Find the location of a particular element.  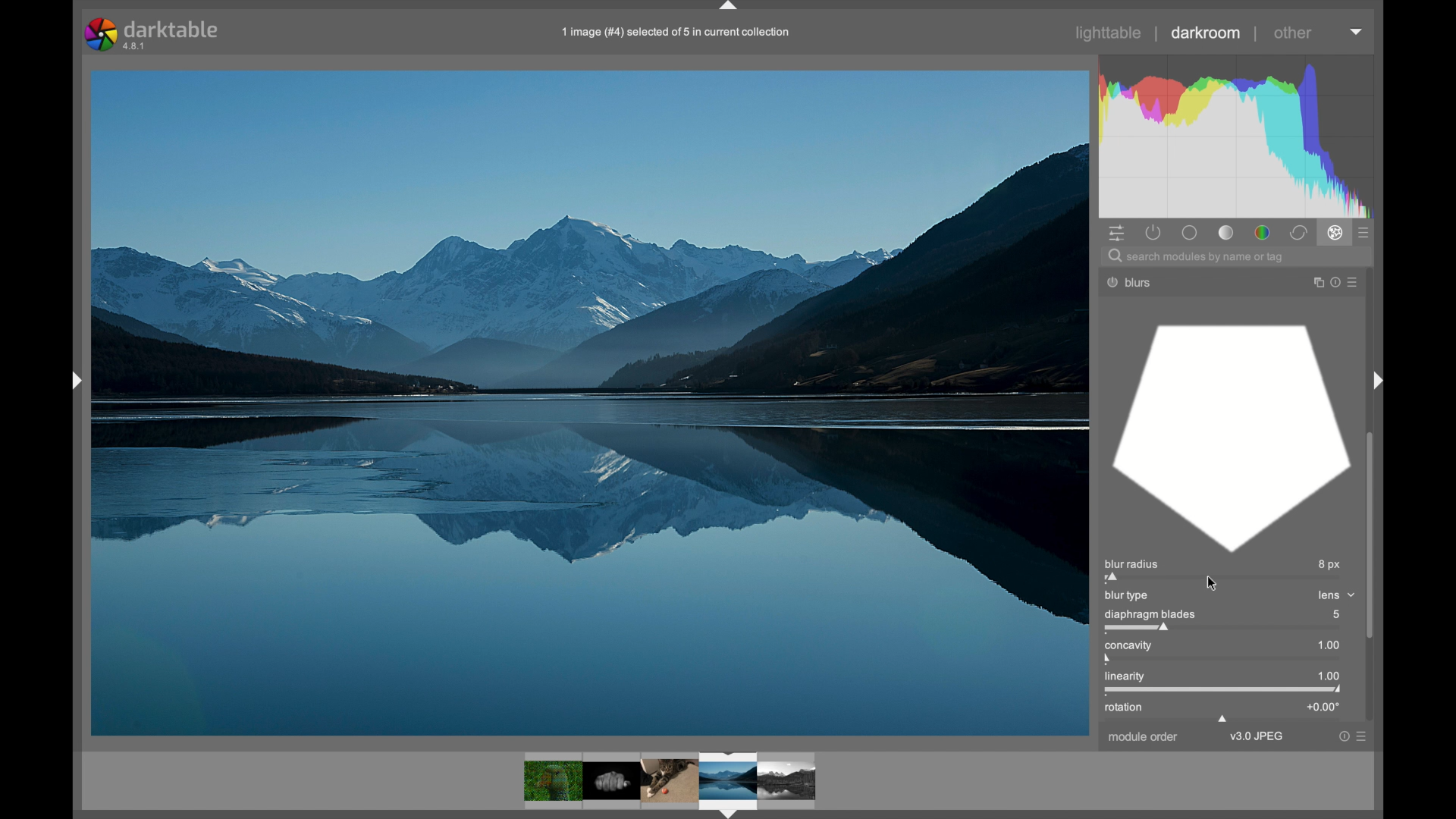

effect is located at coordinates (1335, 234).